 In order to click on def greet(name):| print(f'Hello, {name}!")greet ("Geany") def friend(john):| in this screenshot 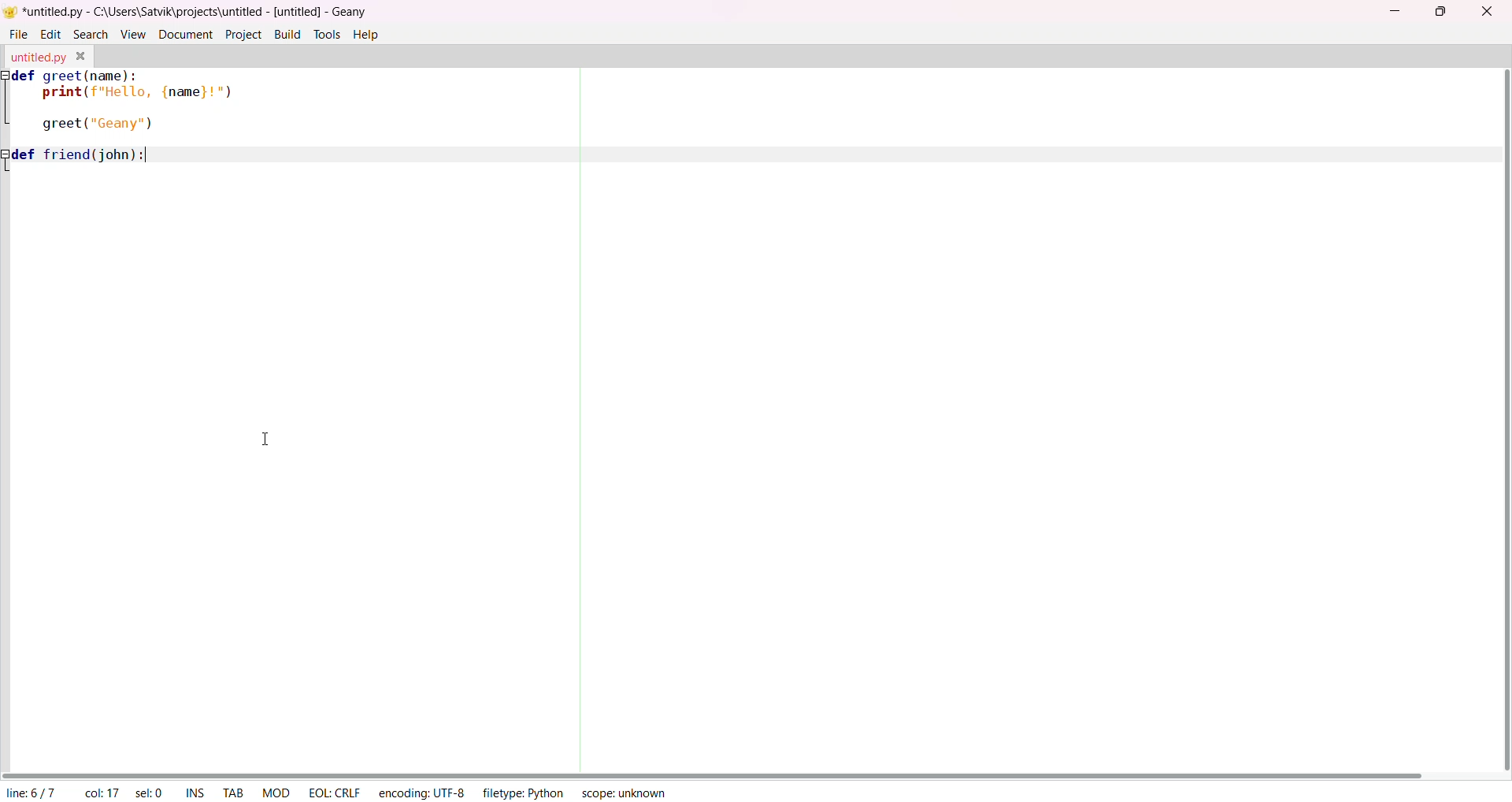, I will do `click(131, 117)`.